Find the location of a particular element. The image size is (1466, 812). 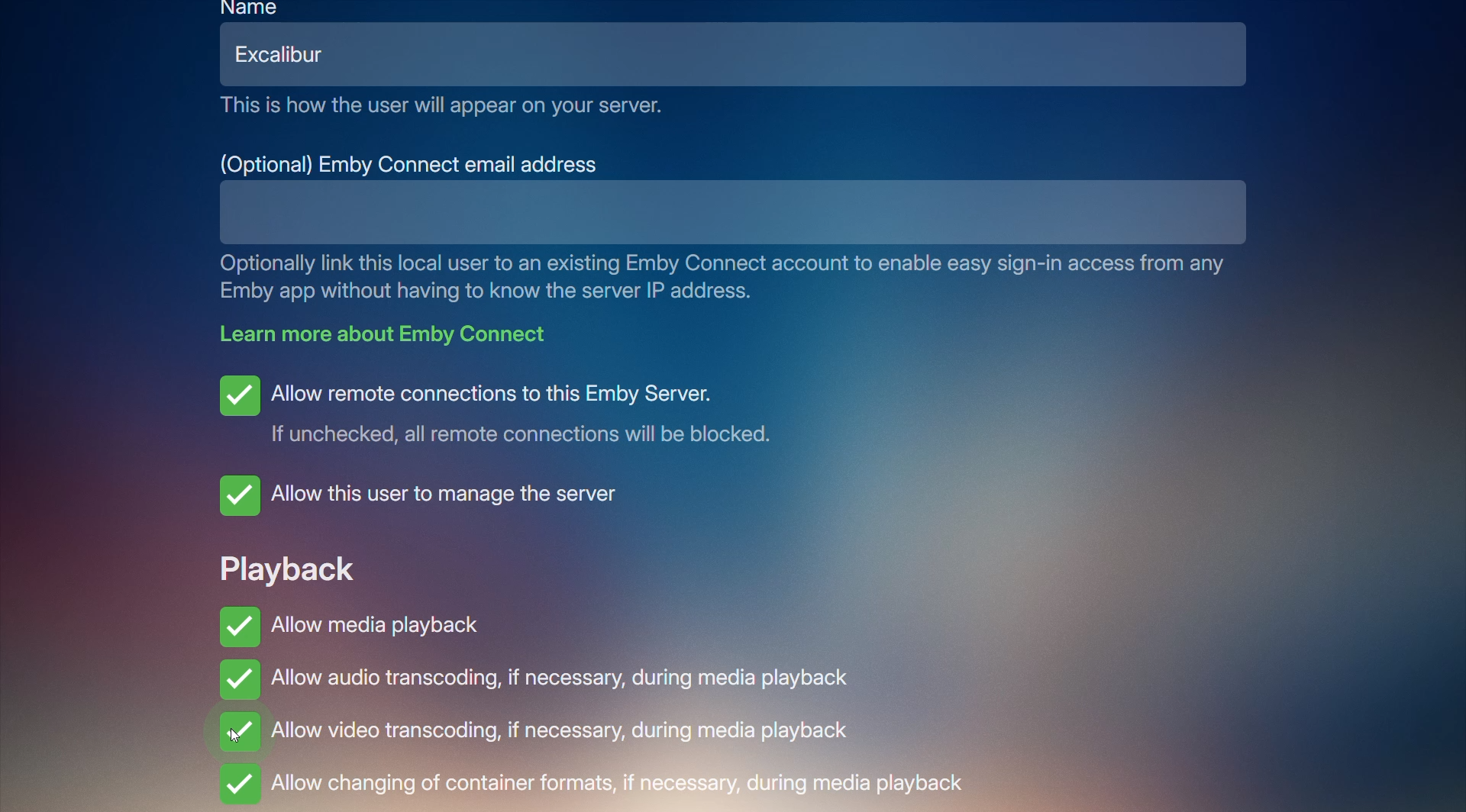

 Allow changing of container formats, if necessary, during media playback is located at coordinates (597, 785).